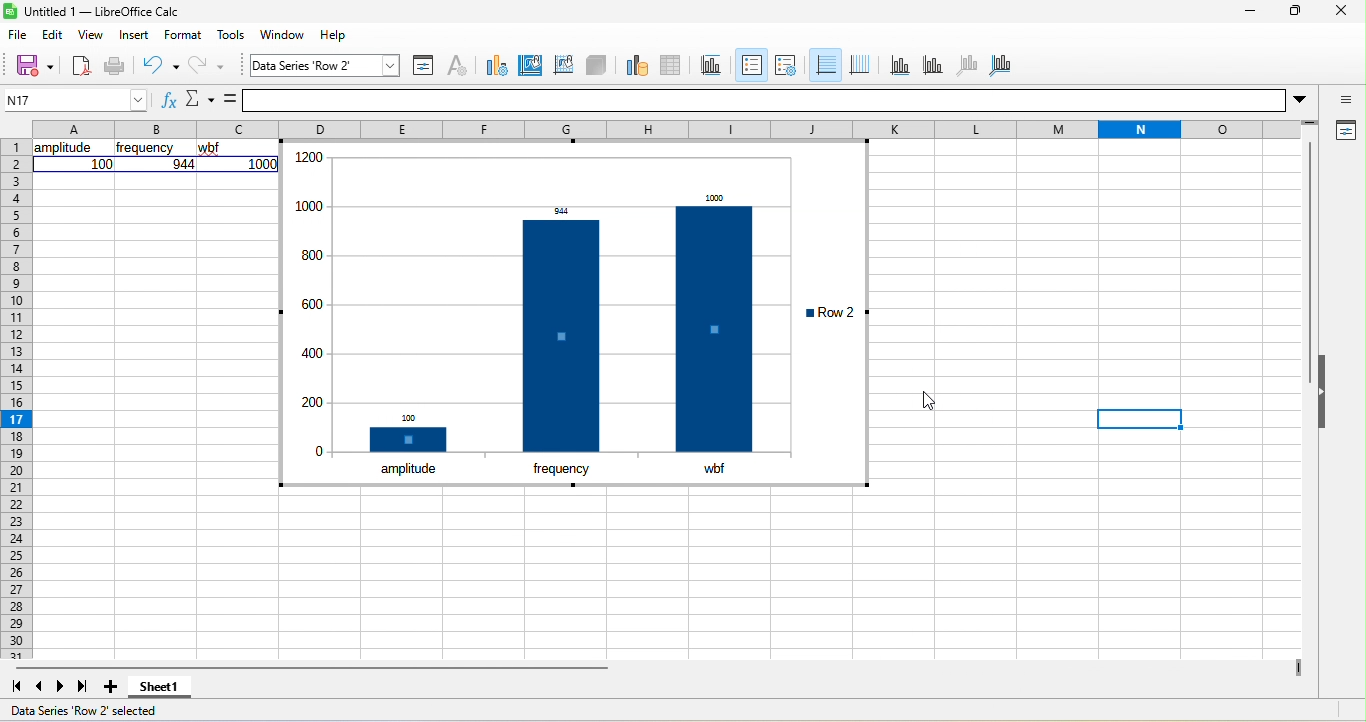  What do you see at coordinates (41, 687) in the screenshot?
I see `previous sheet` at bounding box center [41, 687].